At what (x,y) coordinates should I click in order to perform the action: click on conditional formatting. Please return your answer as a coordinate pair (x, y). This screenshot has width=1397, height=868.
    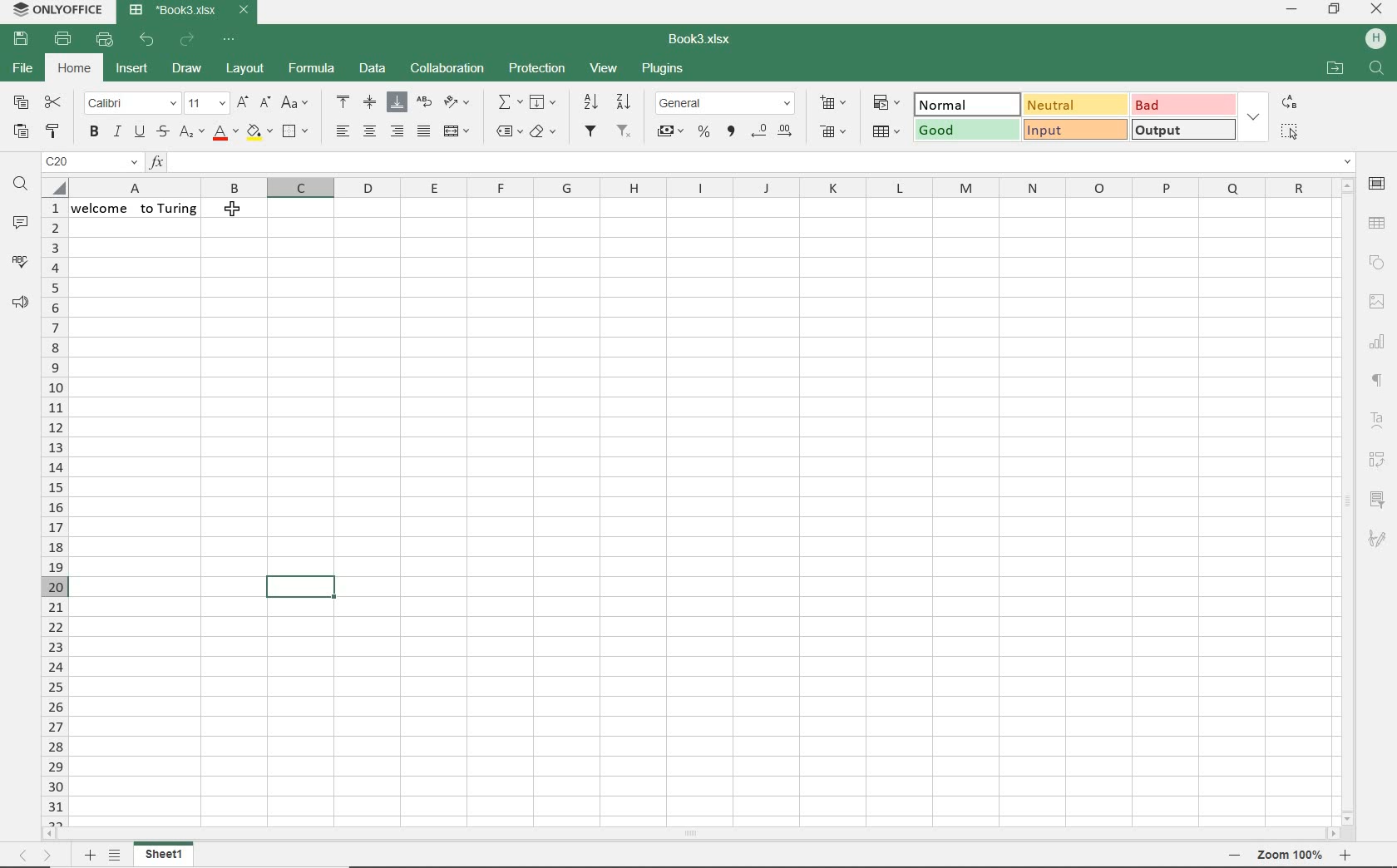
    Looking at the image, I should click on (886, 102).